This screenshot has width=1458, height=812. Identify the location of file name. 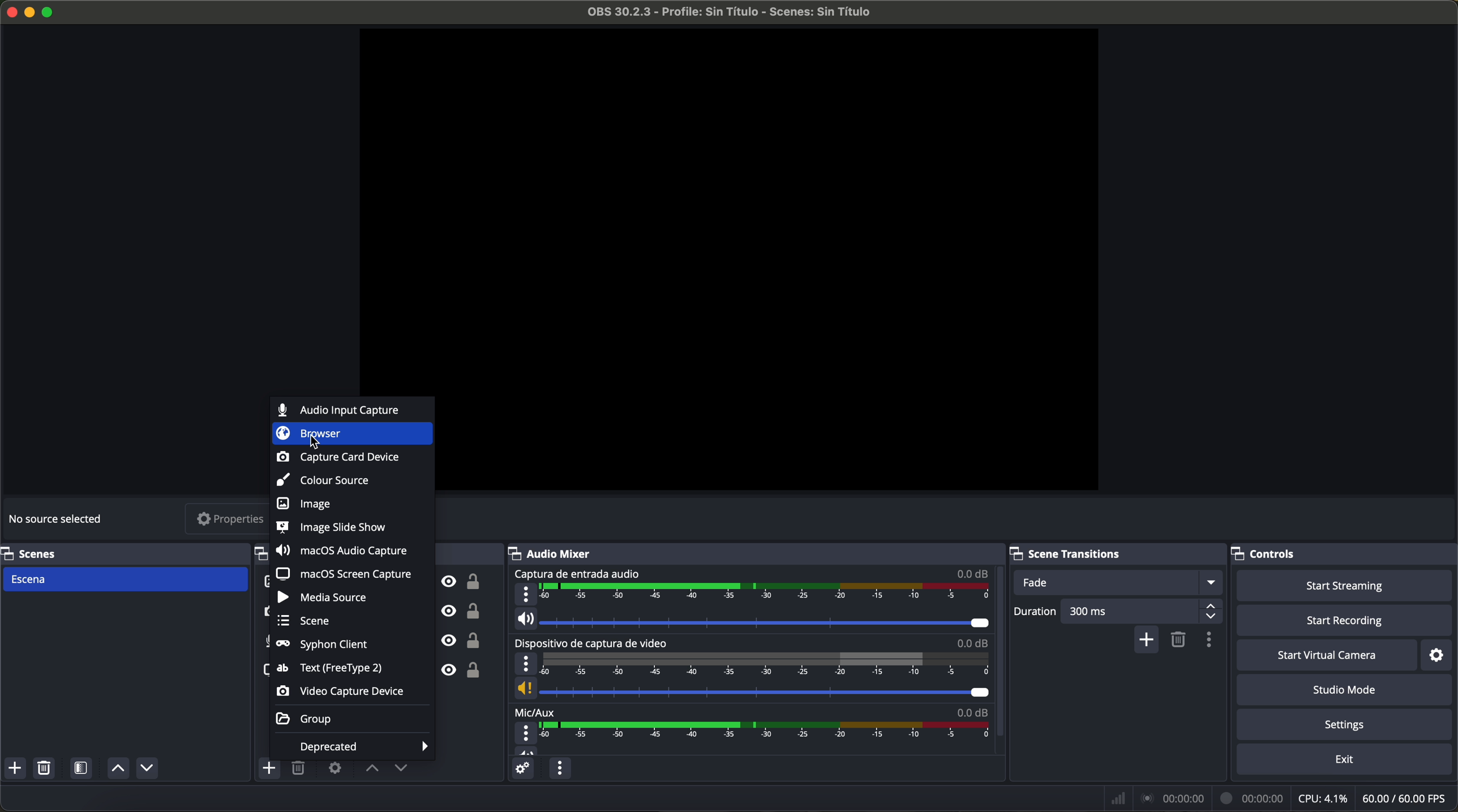
(729, 12).